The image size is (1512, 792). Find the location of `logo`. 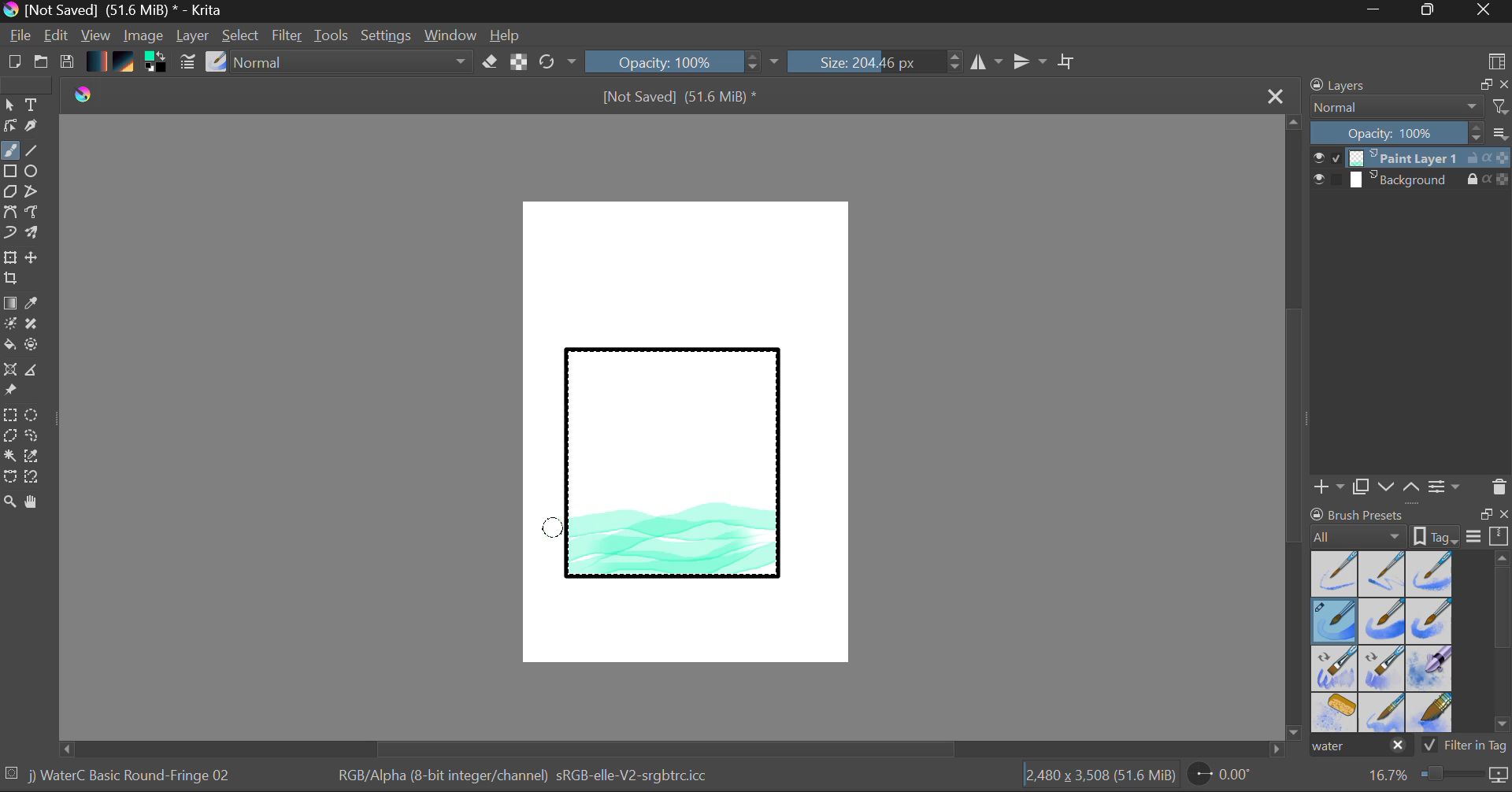

logo is located at coordinates (88, 94).